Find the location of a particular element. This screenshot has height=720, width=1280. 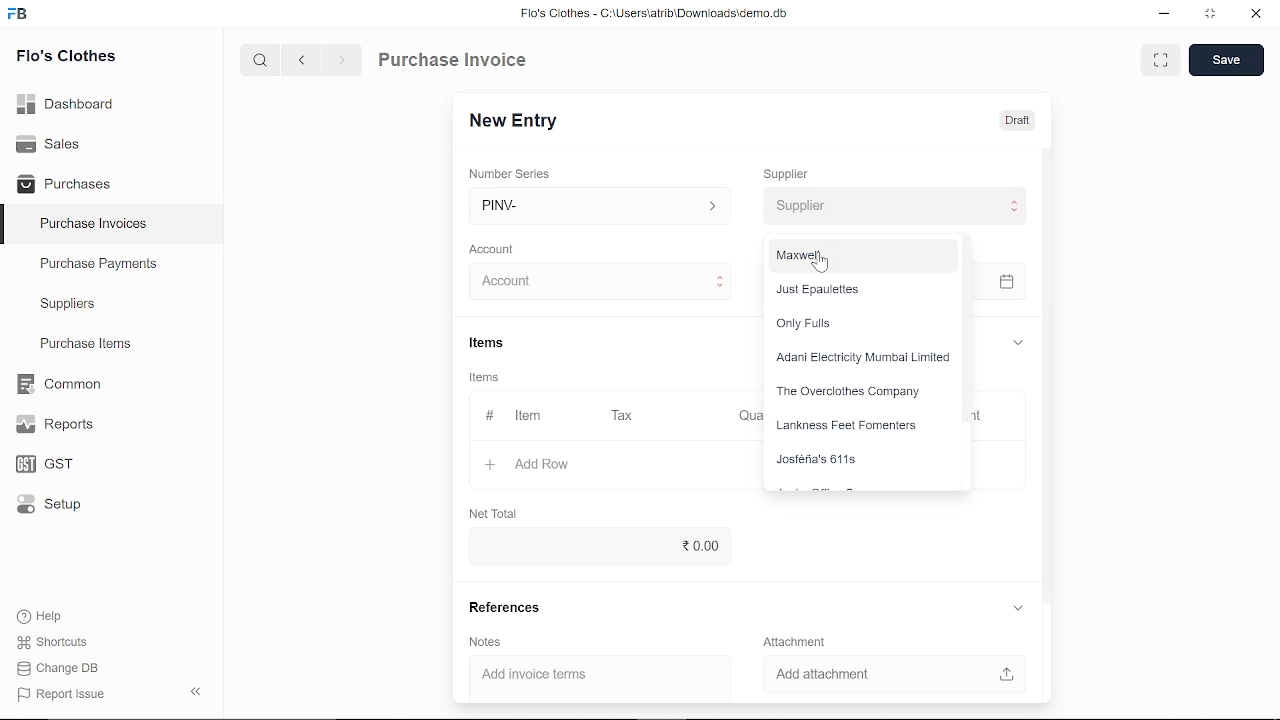

expand is located at coordinates (1015, 340).